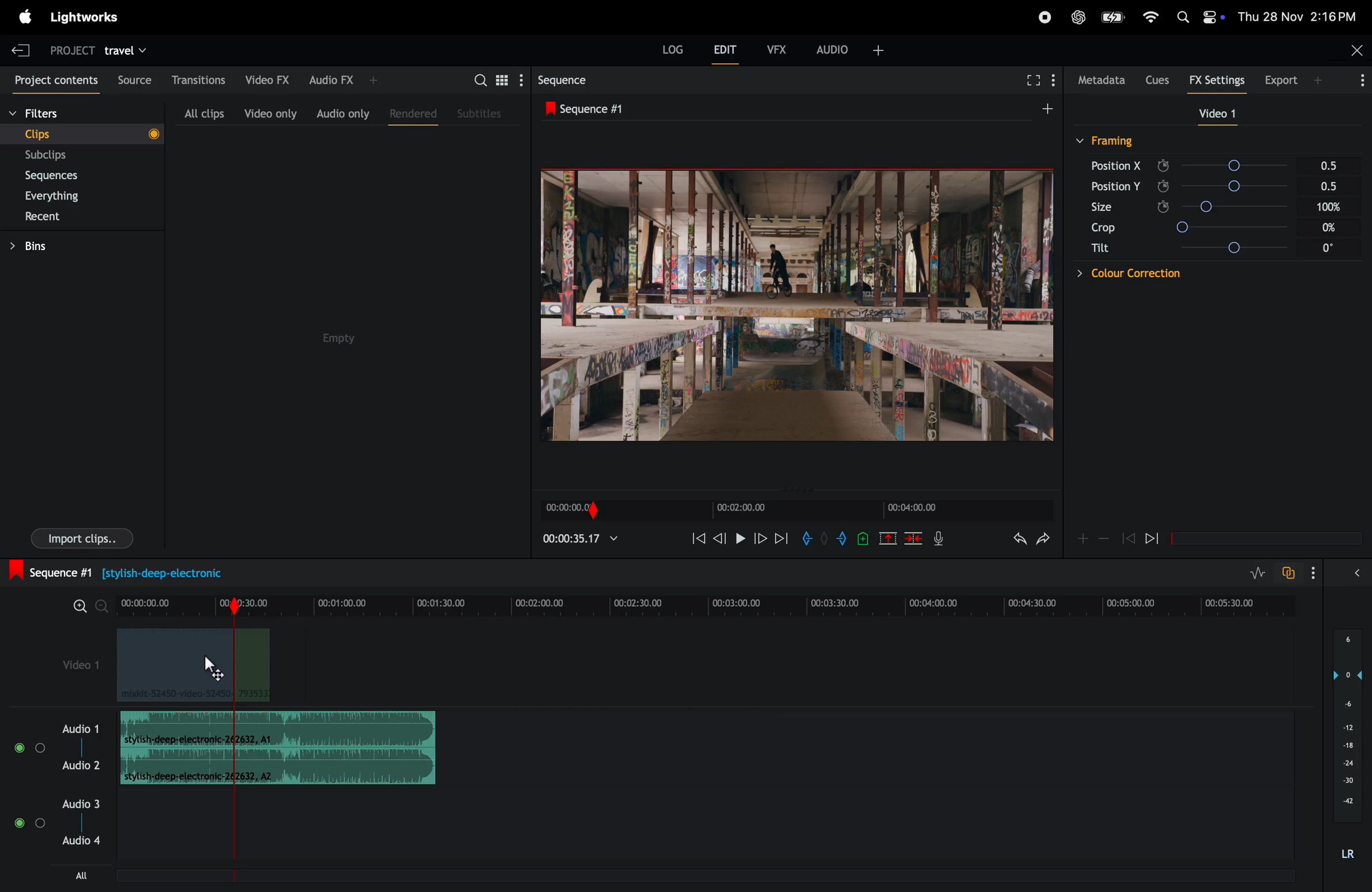 This screenshot has width=1372, height=892. What do you see at coordinates (1104, 538) in the screenshot?
I see `remove key frame ` at bounding box center [1104, 538].